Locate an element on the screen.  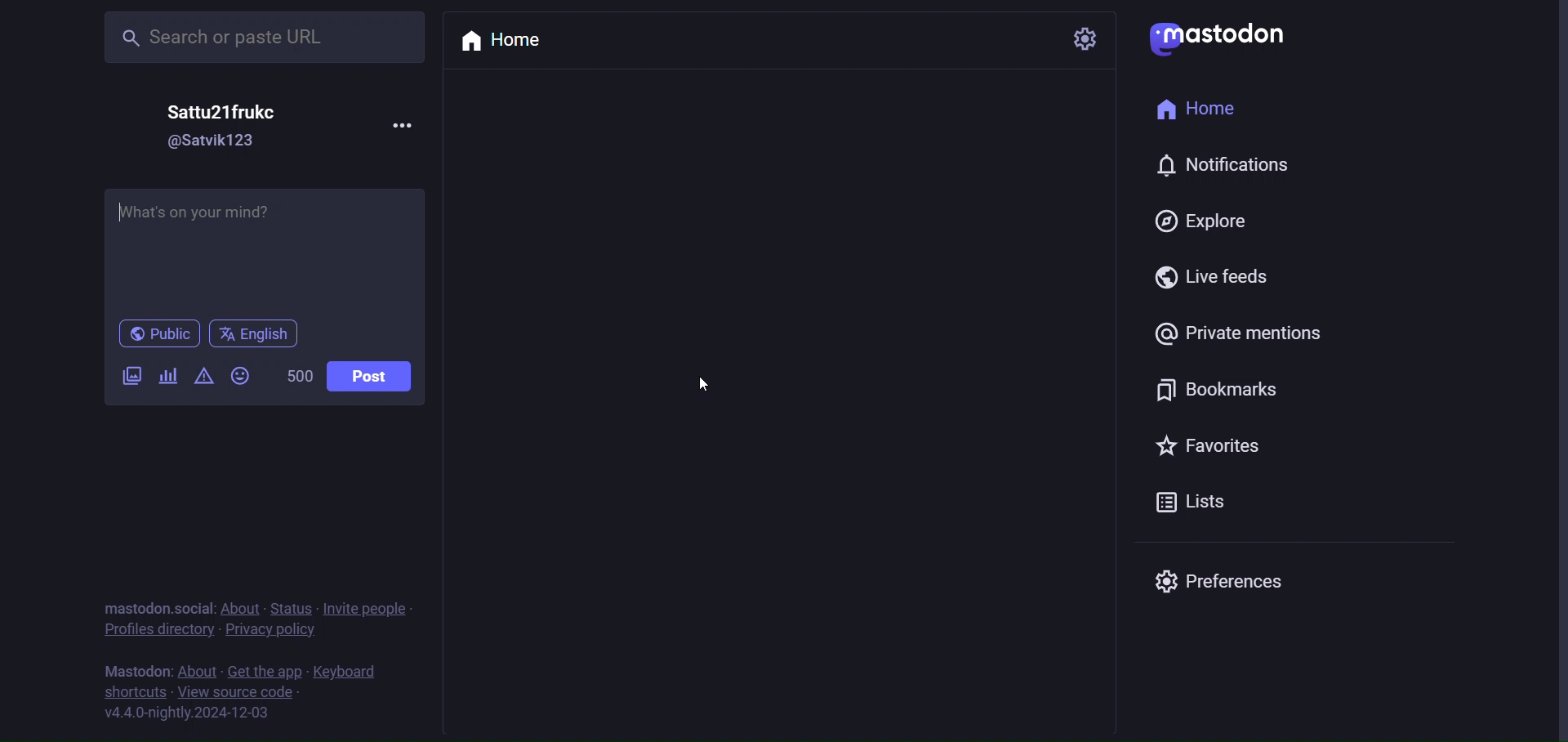
version is located at coordinates (200, 715).